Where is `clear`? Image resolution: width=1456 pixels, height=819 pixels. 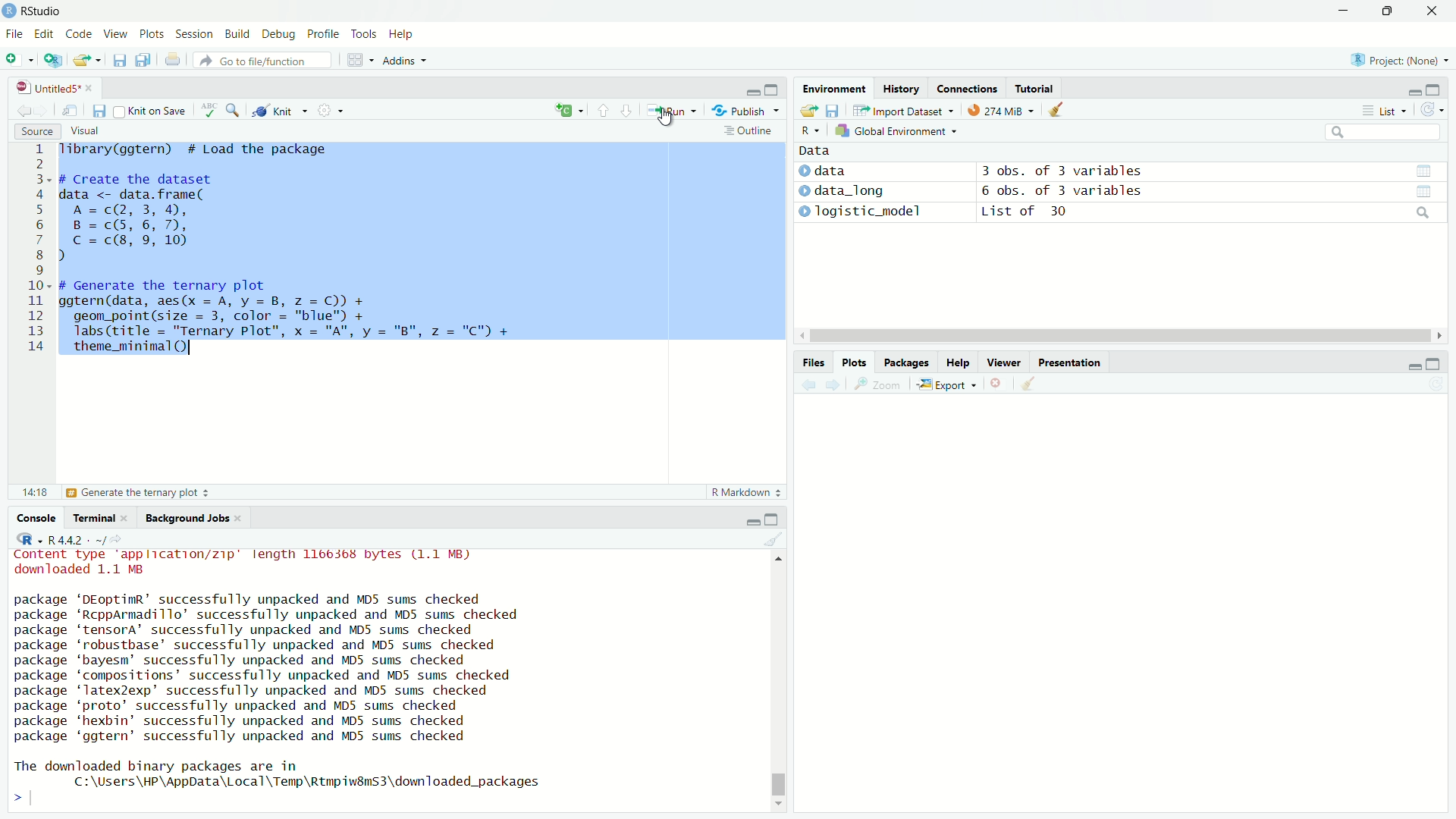
clear is located at coordinates (1065, 112).